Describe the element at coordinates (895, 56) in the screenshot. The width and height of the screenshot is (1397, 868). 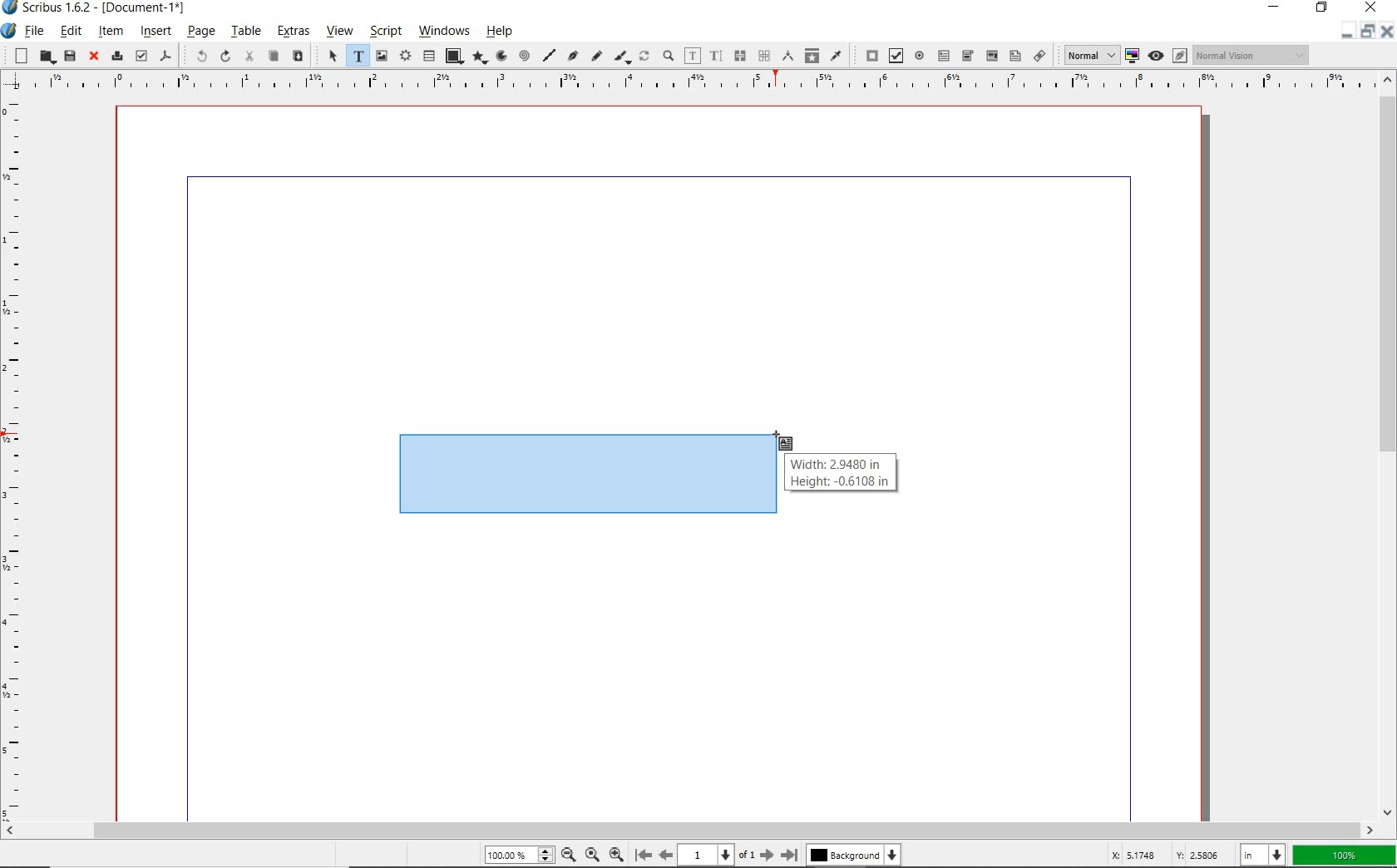
I see `pdf check box` at that location.